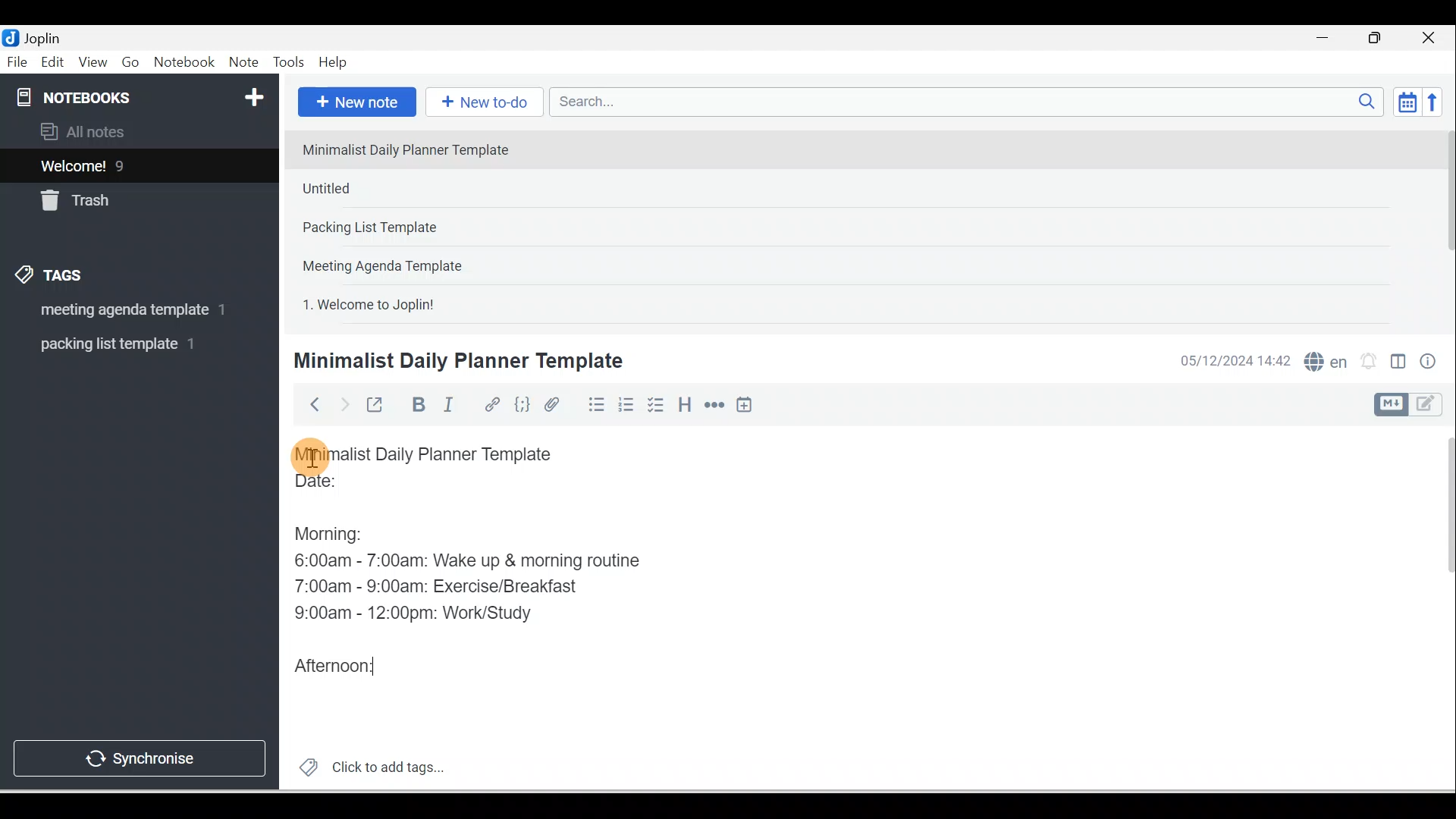 This screenshot has height=819, width=1456. I want to click on Help, so click(334, 63).